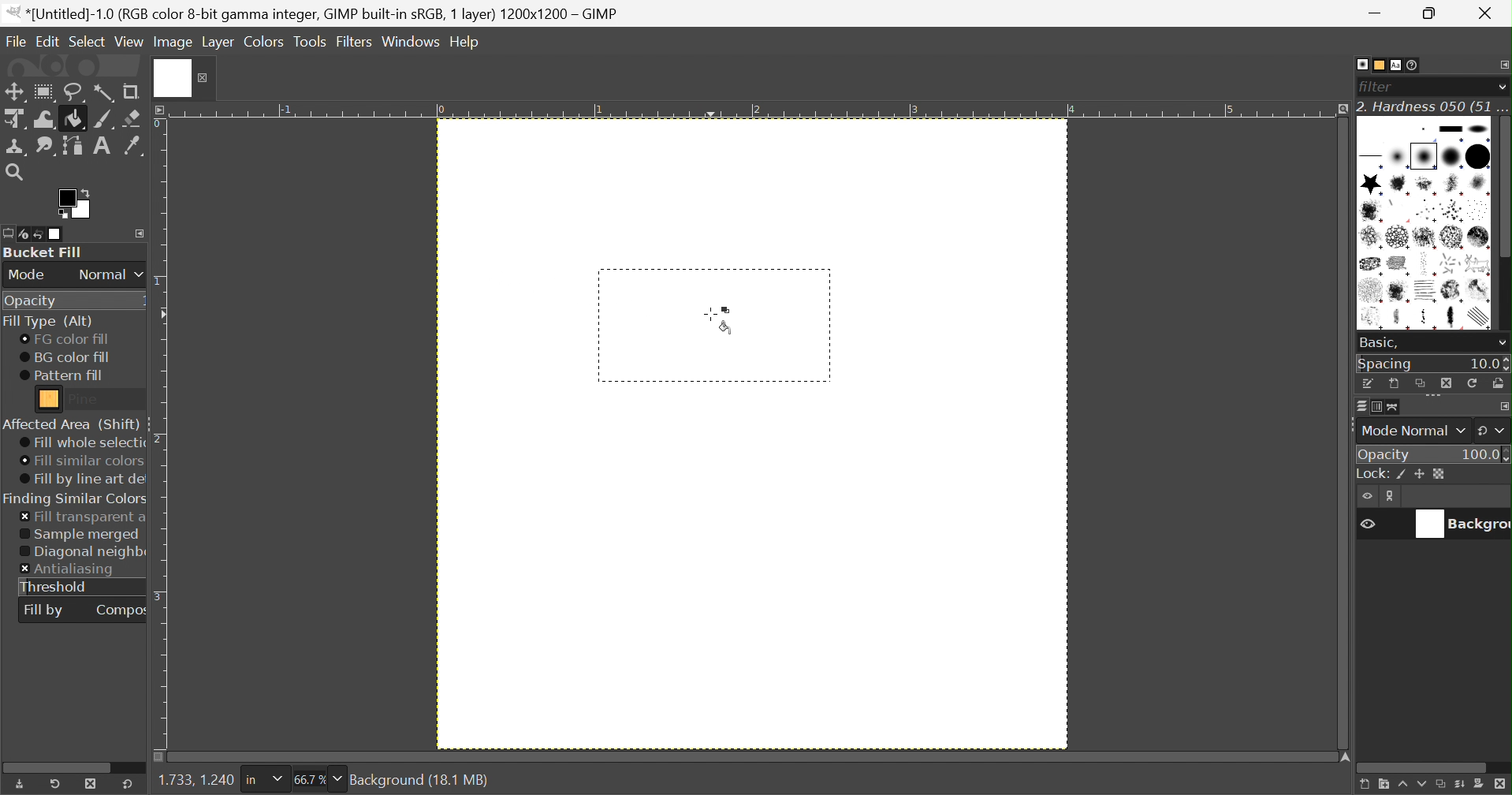  Describe the element at coordinates (1400, 319) in the screenshot. I see `Pencil` at that location.